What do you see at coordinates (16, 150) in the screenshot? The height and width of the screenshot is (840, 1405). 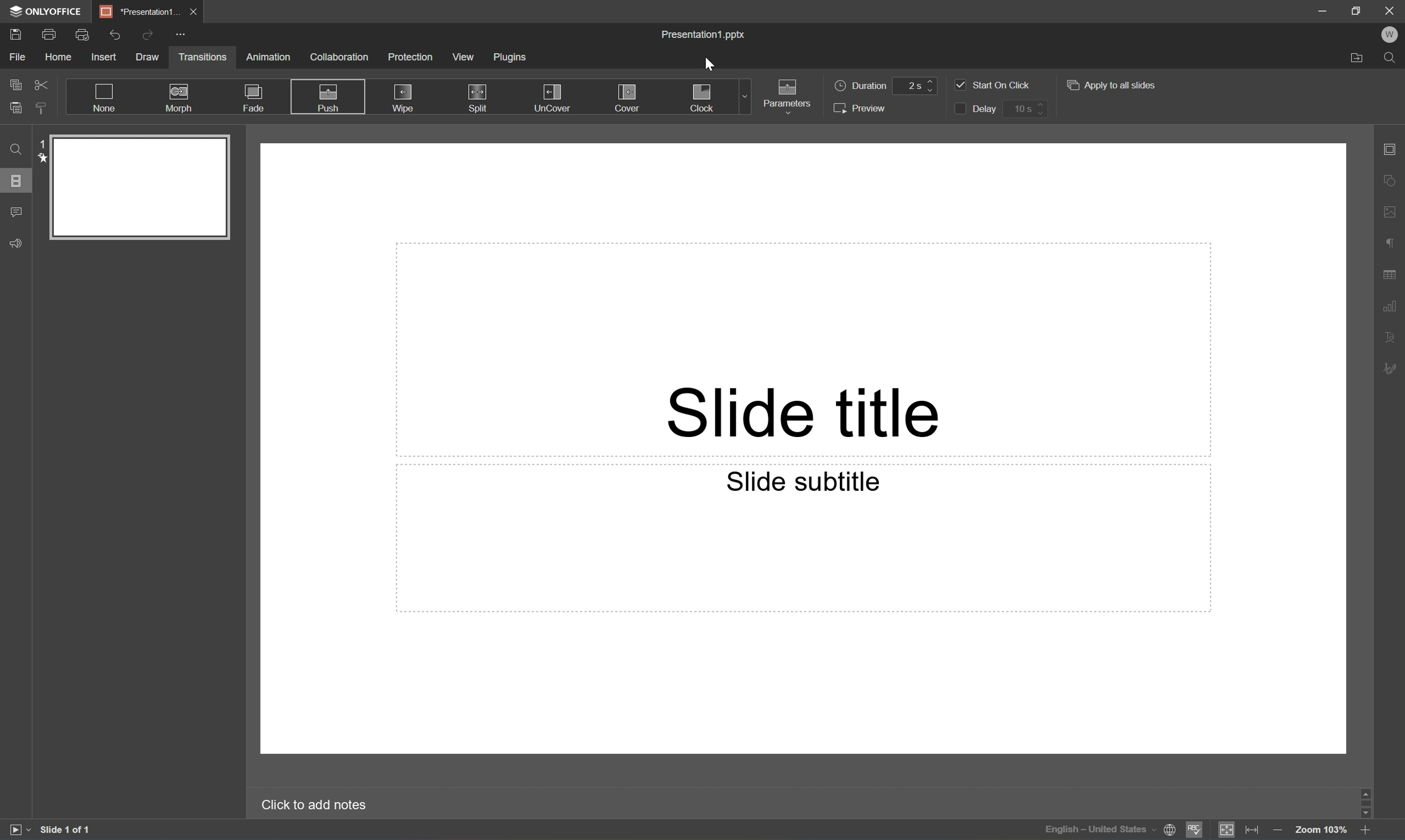 I see `Find` at bounding box center [16, 150].